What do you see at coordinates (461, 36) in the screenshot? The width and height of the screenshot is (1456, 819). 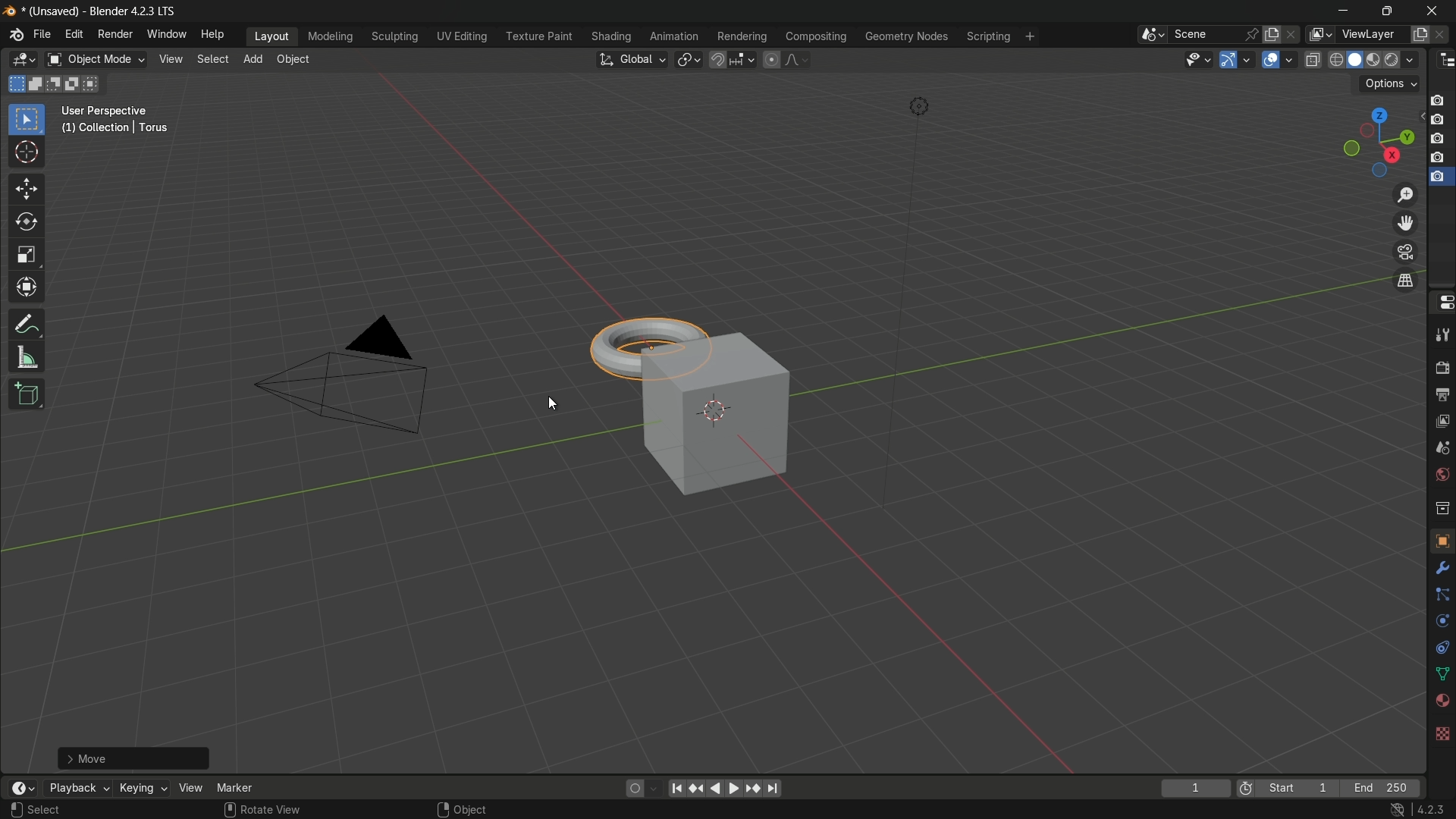 I see `uv editing` at bounding box center [461, 36].